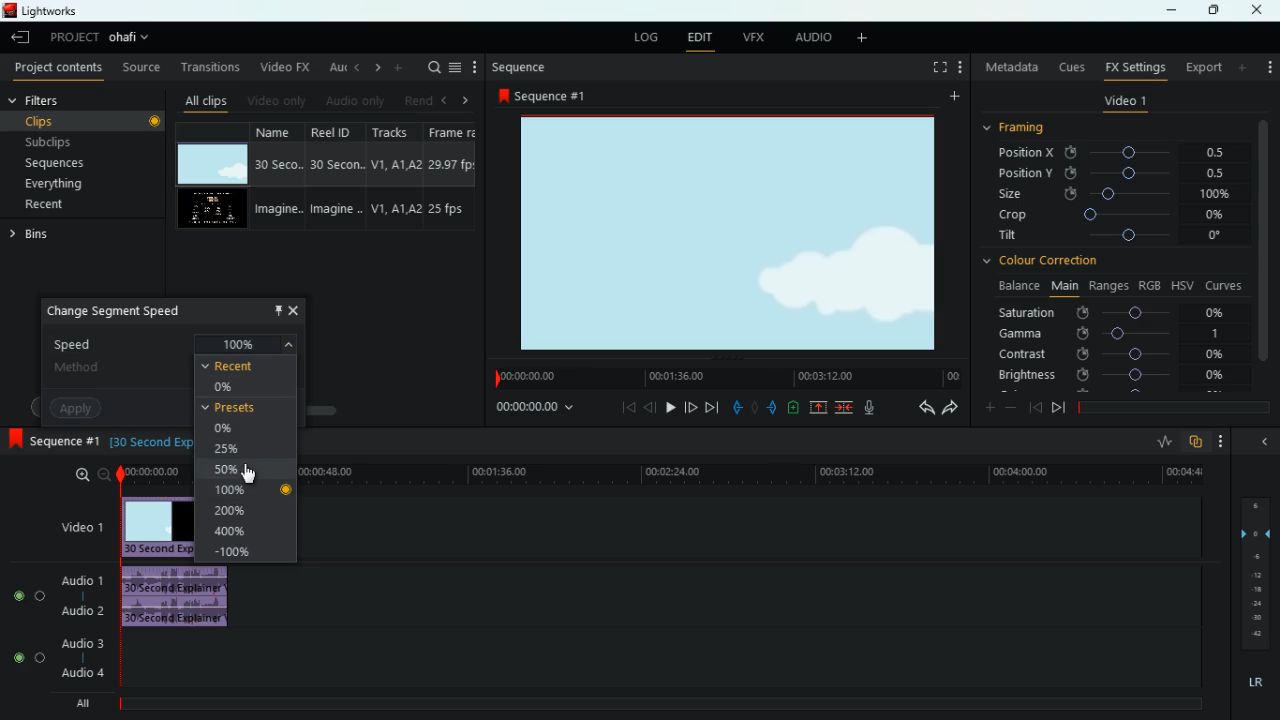 This screenshot has height=720, width=1280. I want to click on 100, so click(234, 491).